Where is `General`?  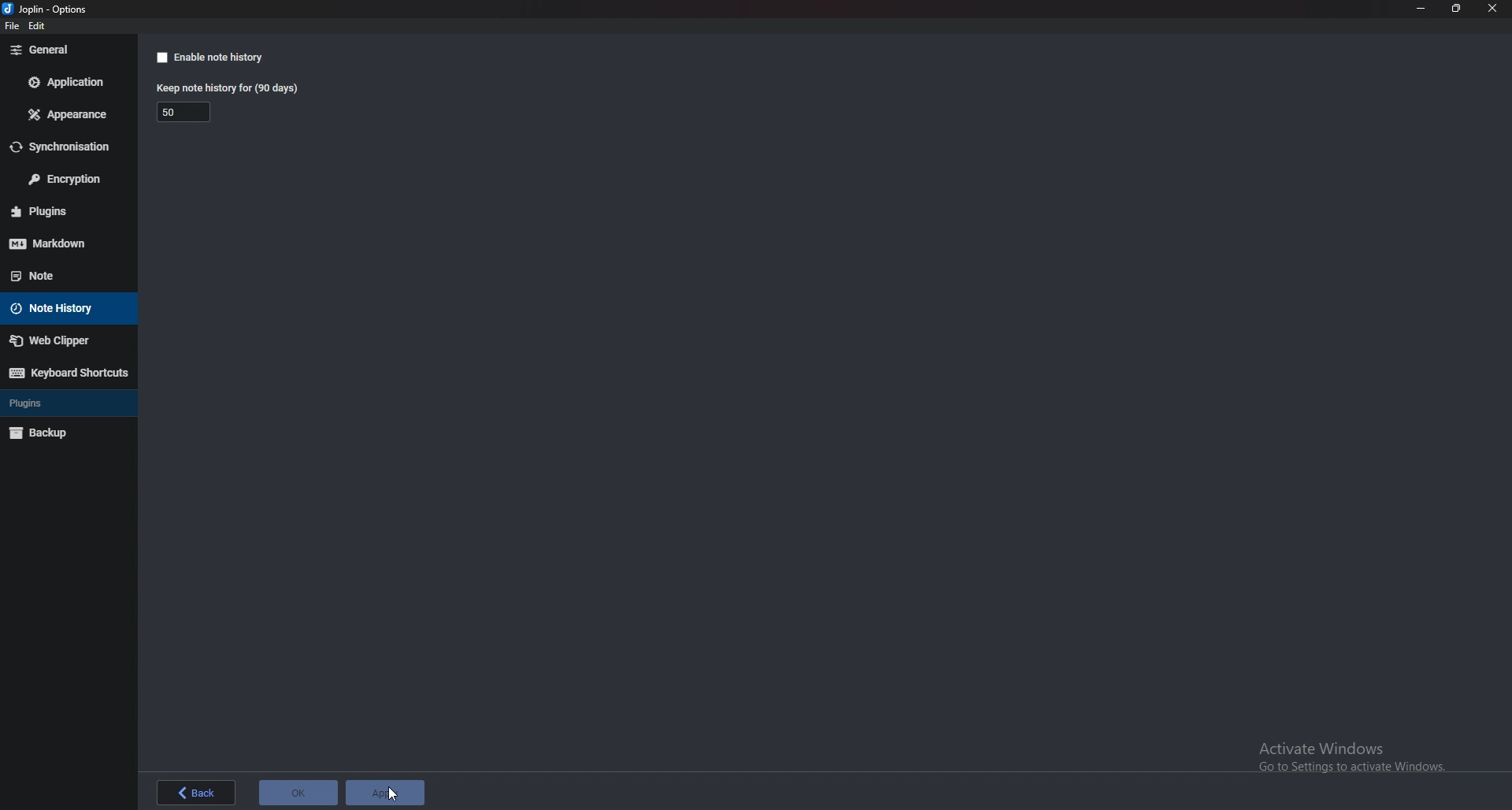 General is located at coordinates (64, 50).